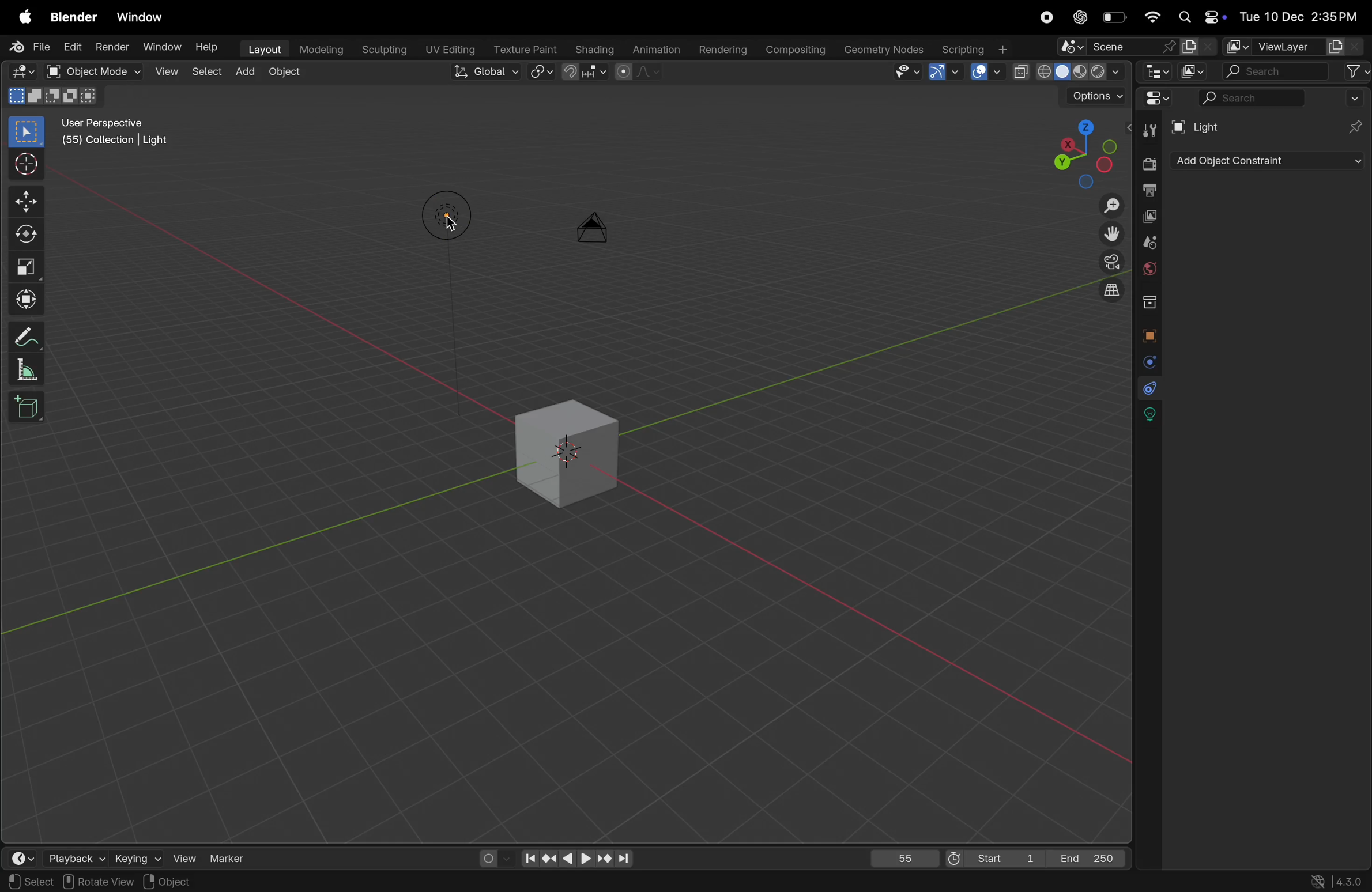  Describe the element at coordinates (635, 74) in the screenshot. I see `proportional editing objects` at that location.